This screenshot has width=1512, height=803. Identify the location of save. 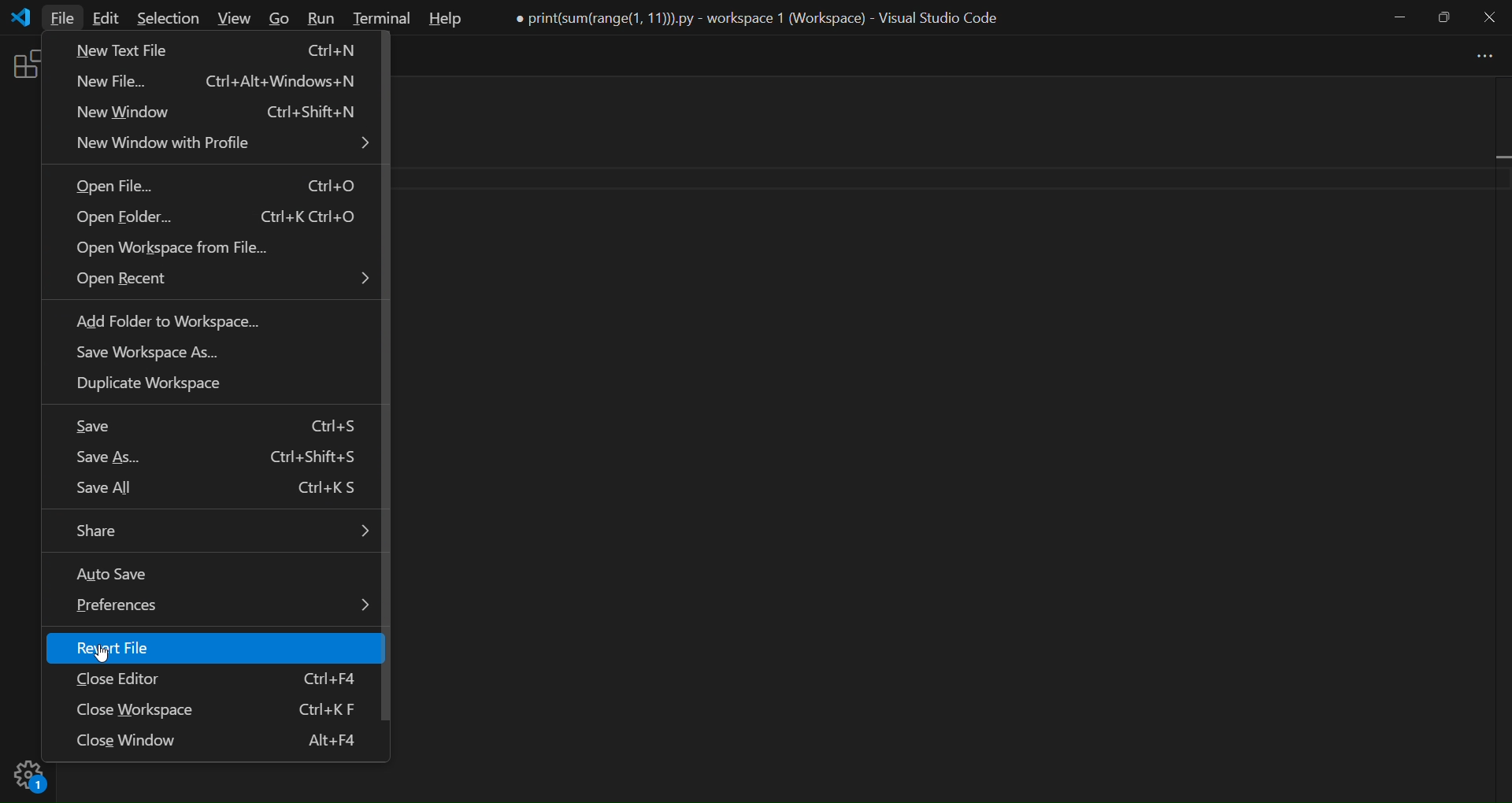
(225, 427).